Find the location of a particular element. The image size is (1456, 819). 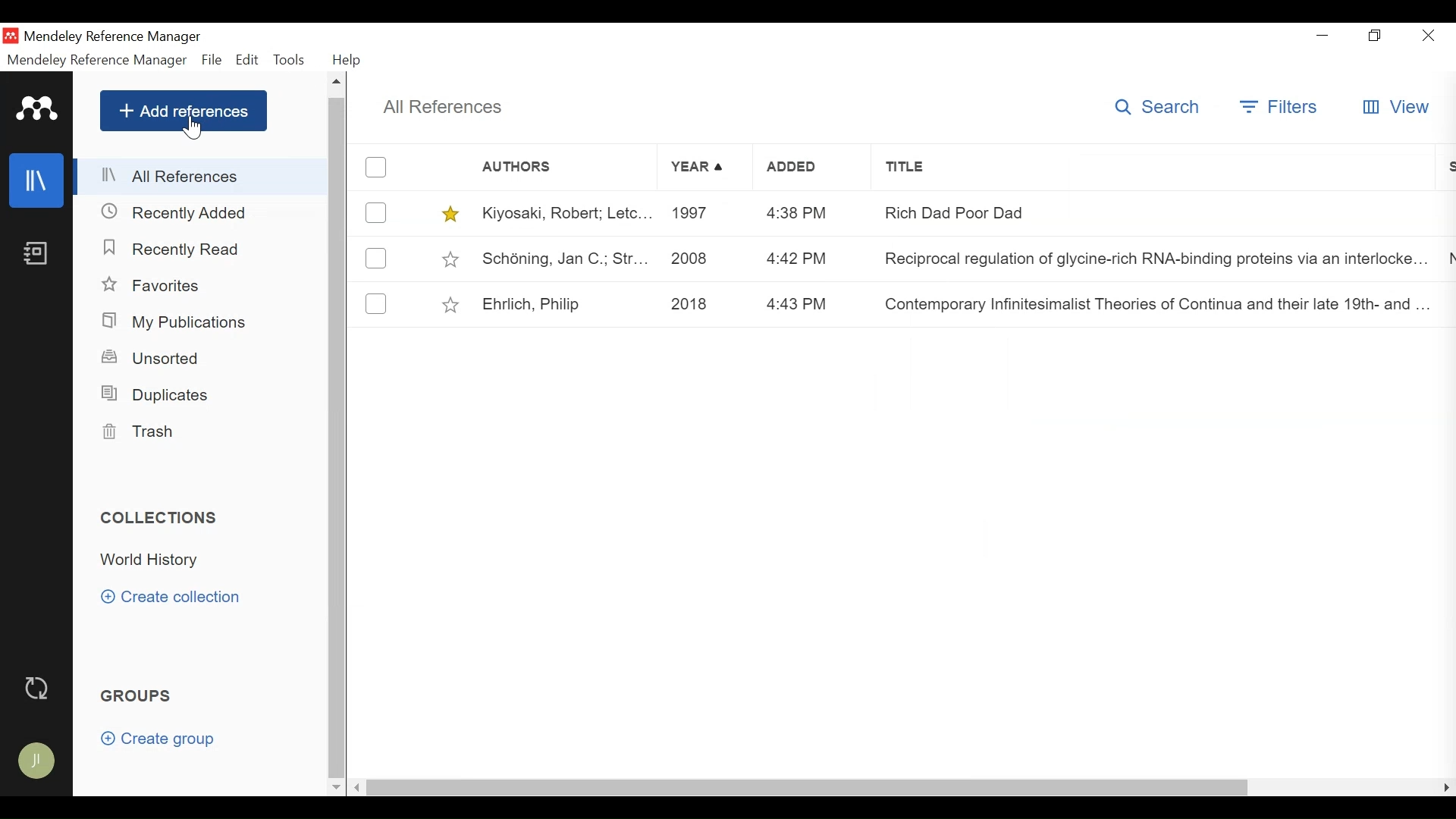

(un)select is located at coordinates (375, 213).